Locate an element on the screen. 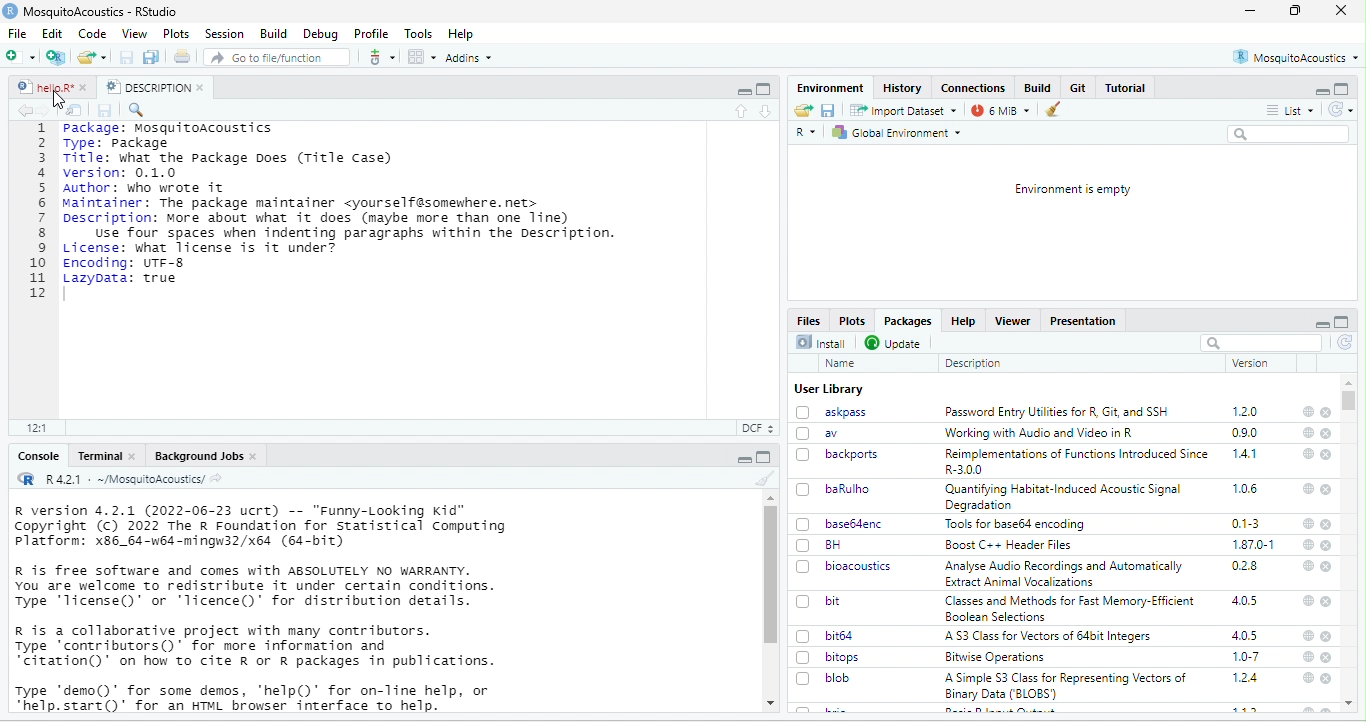 This screenshot has height=722, width=1366. Type ‘demo()" for some demos, 'help()’ for on-line help, or
*help.start()’ for an HTML browser interface to help. is located at coordinates (256, 697).